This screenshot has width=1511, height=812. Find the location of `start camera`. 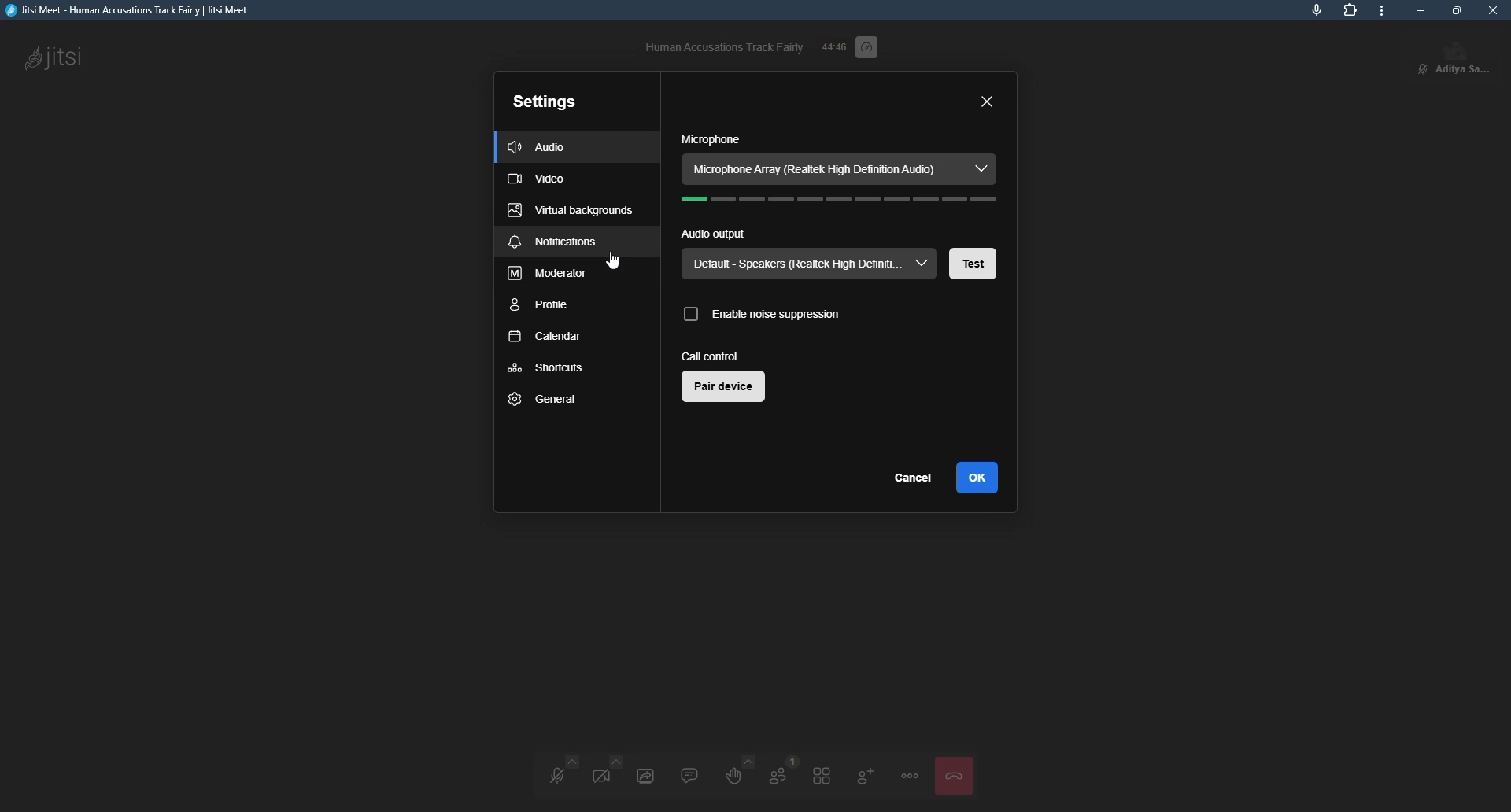

start camera is located at coordinates (604, 774).